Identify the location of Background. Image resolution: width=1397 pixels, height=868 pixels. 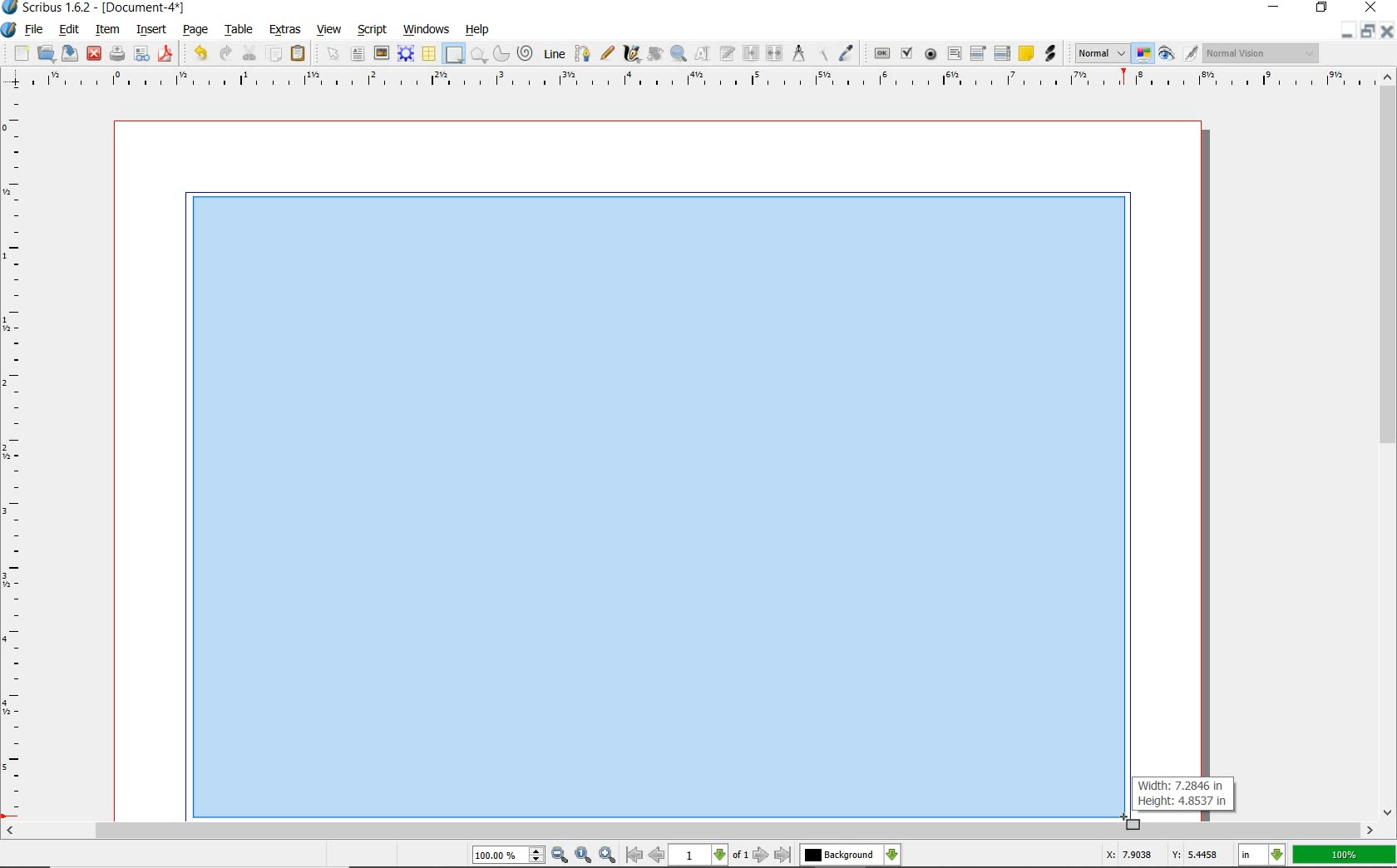
(851, 856).